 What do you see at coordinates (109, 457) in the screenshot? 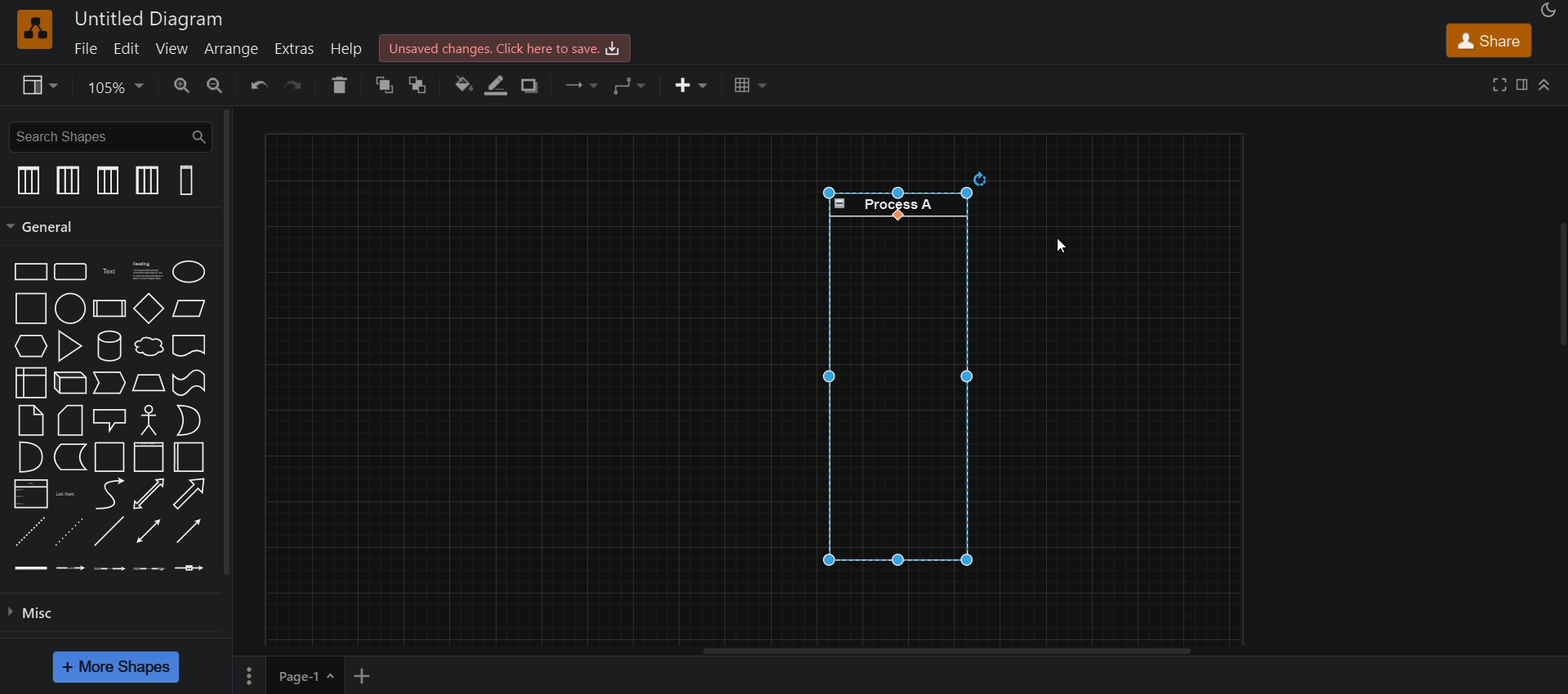
I see `container` at bounding box center [109, 457].